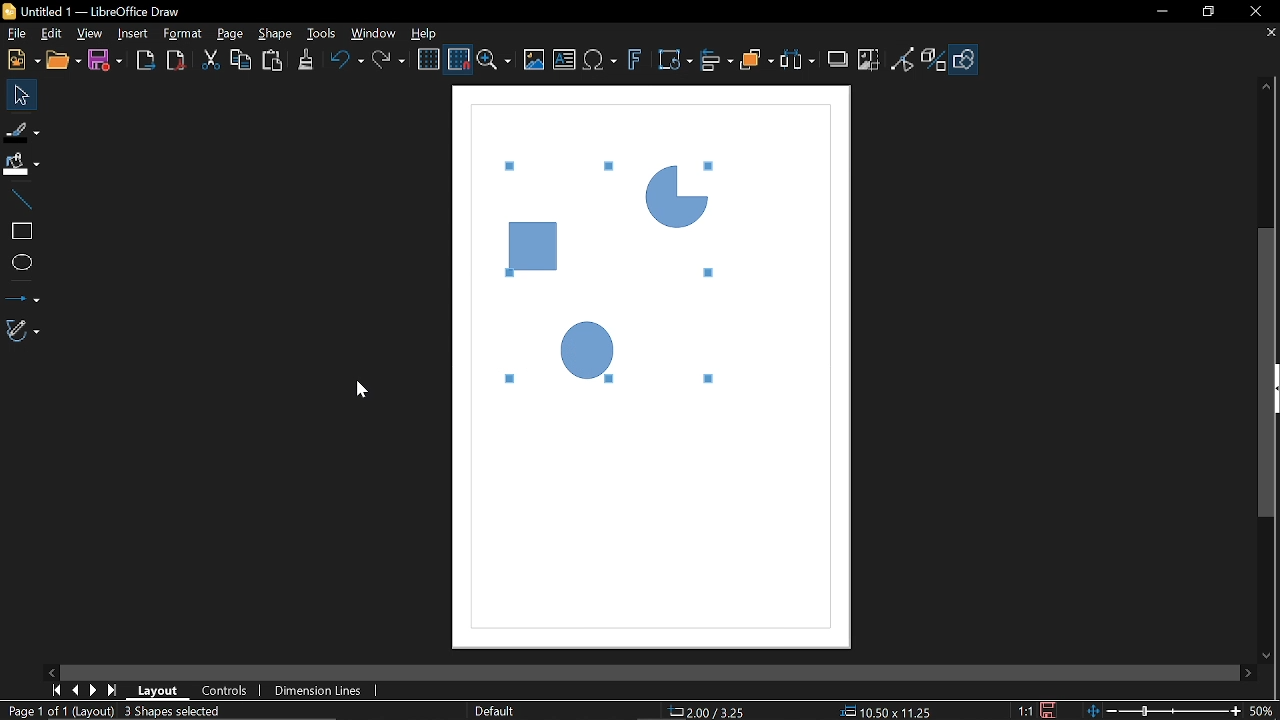 The image size is (1280, 720). What do you see at coordinates (891, 712) in the screenshot?
I see `Size` at bounding box center [891, 712].